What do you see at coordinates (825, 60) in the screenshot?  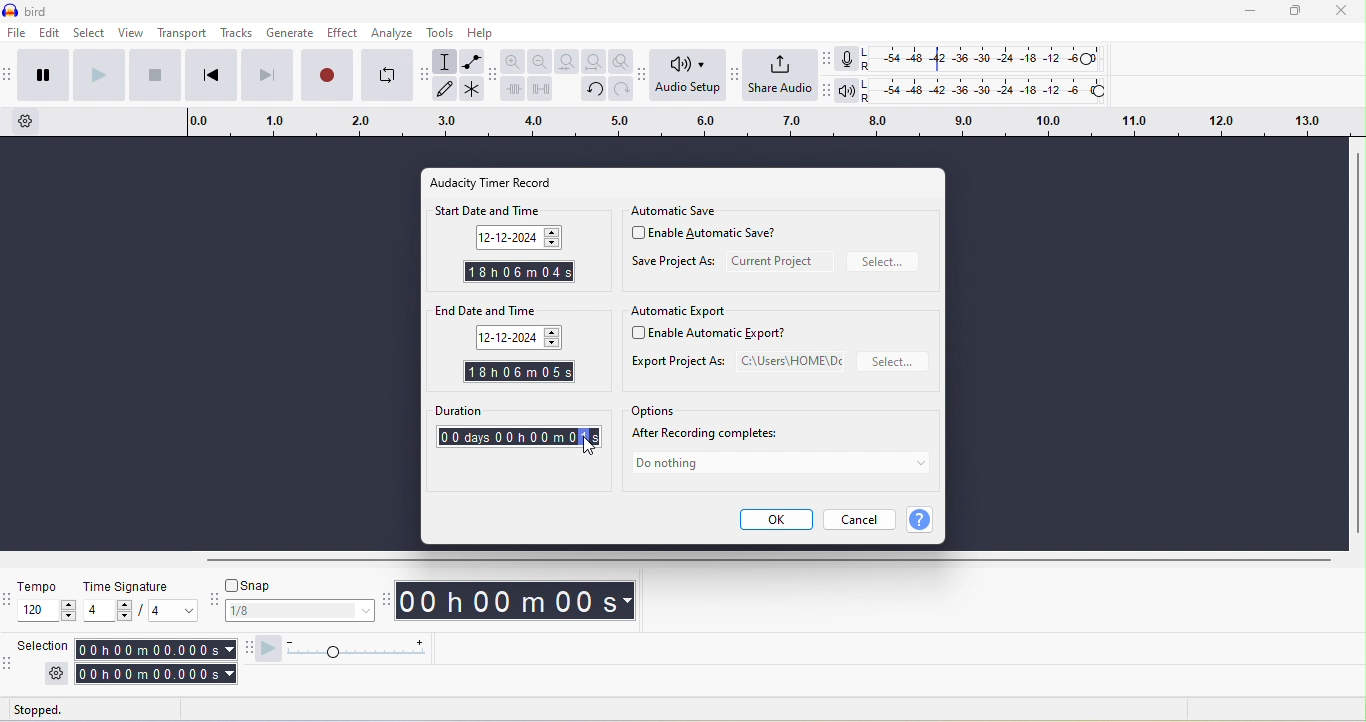 I see `audacity recording meter toolbar` at bounding box center [825, 60].